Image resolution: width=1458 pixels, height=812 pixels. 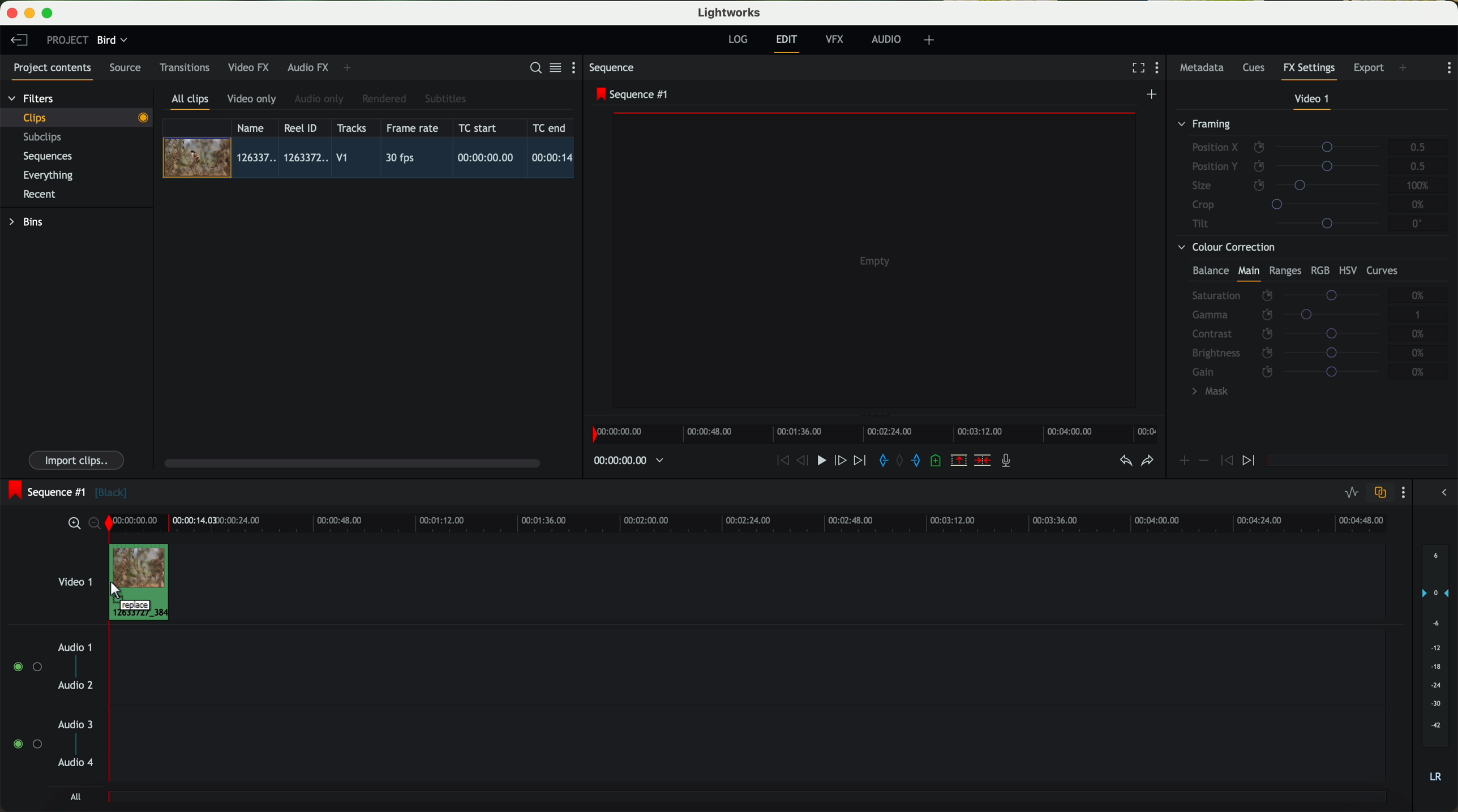 I want to click on TC start, so click(x=479, y=127).